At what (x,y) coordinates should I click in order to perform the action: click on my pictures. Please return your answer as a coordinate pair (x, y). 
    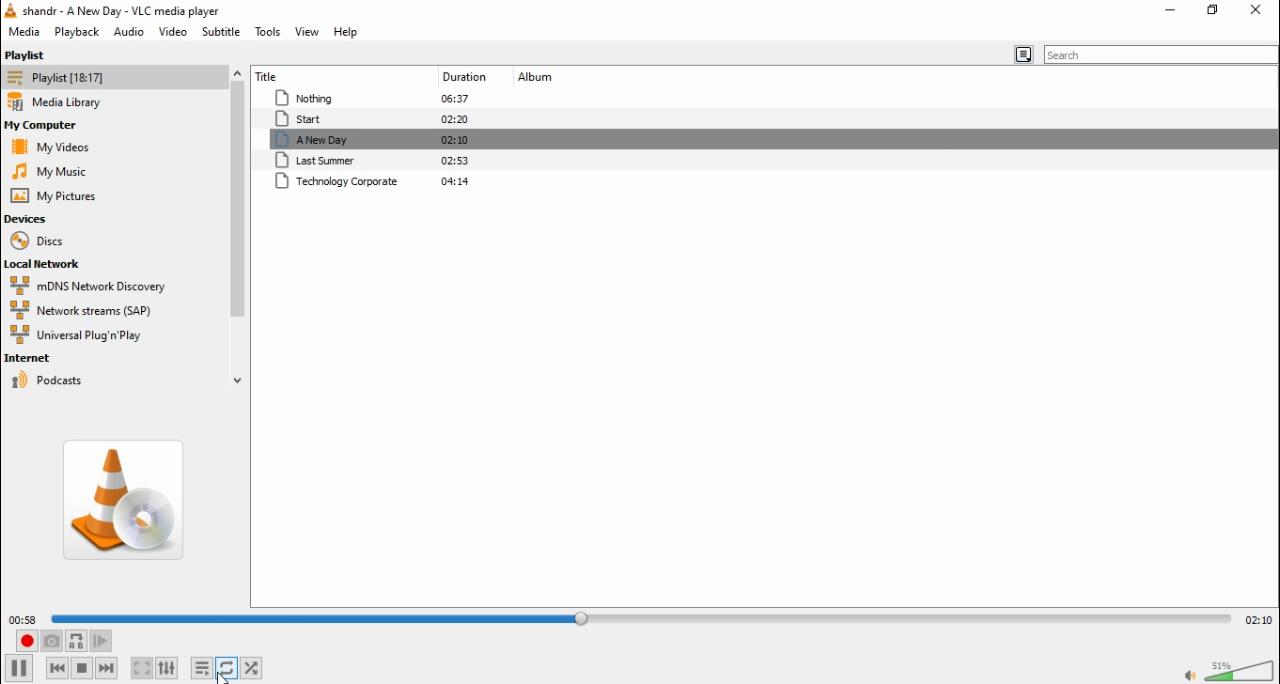
    Looking at the image, I should click on (49, 171).